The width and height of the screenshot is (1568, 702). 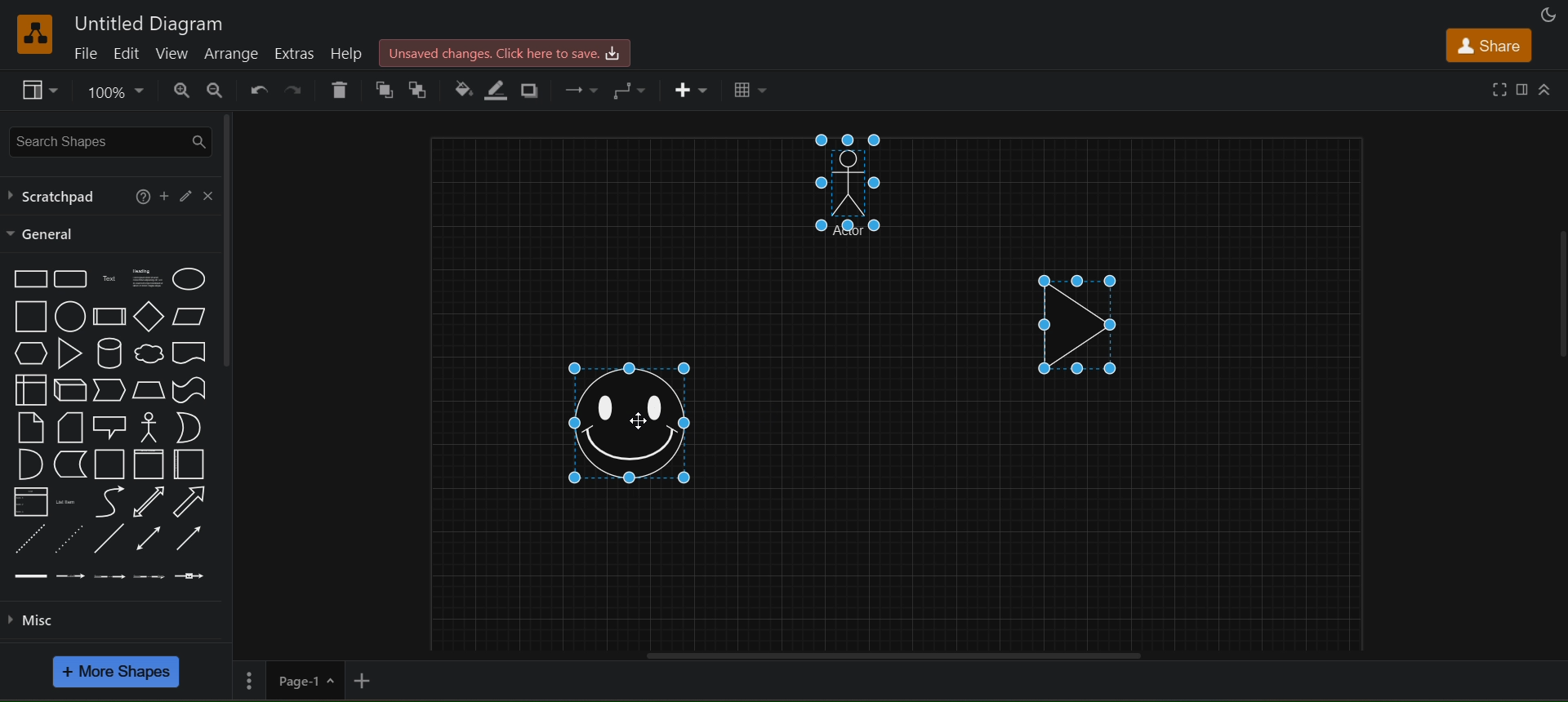 What do you see at coordinates (26, 389) in the screenshot?
I see `internal storage` at bounding box center [26, 389].